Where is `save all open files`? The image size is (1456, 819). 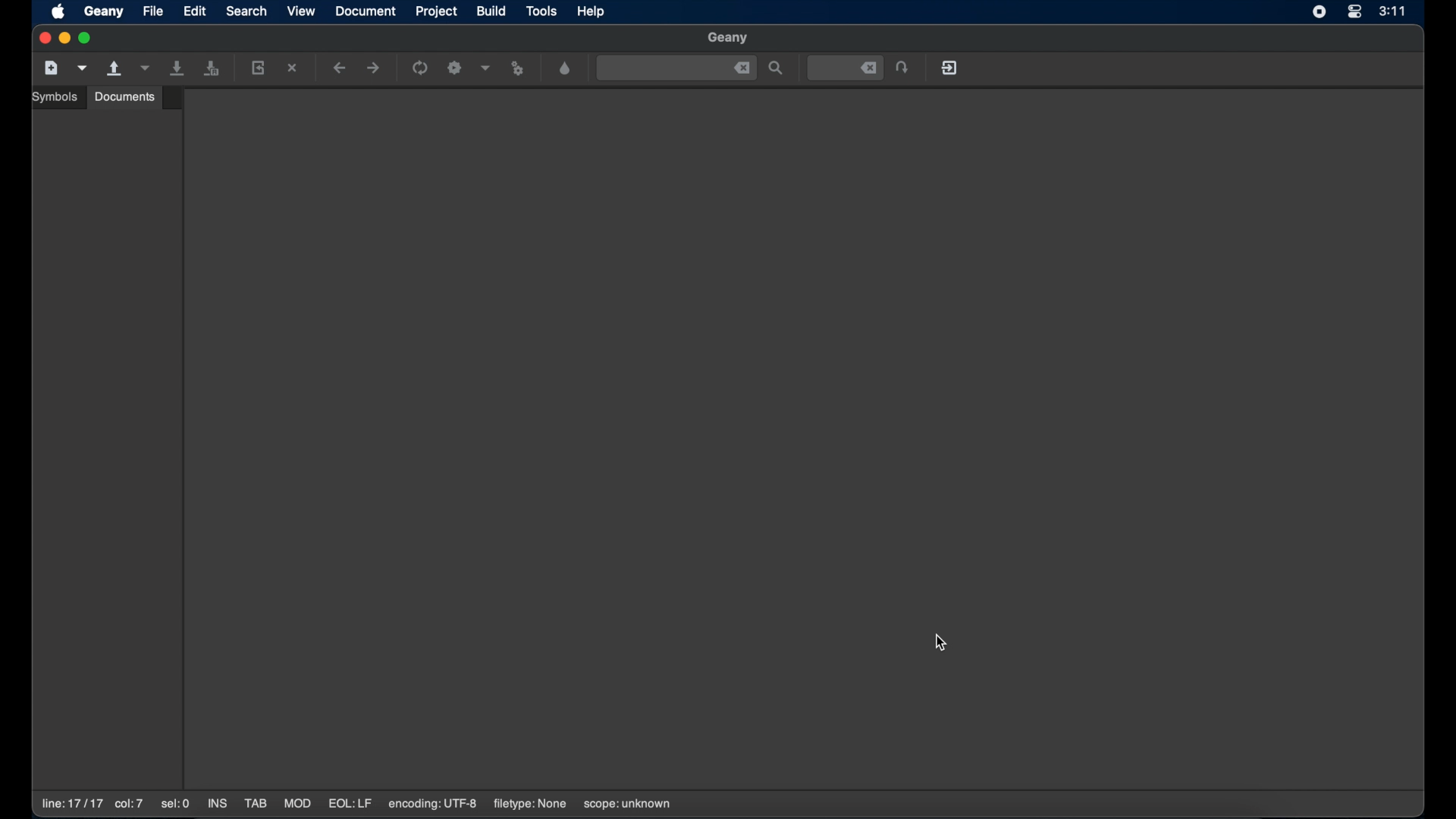 save all open files is located at coordinates (212, 69).